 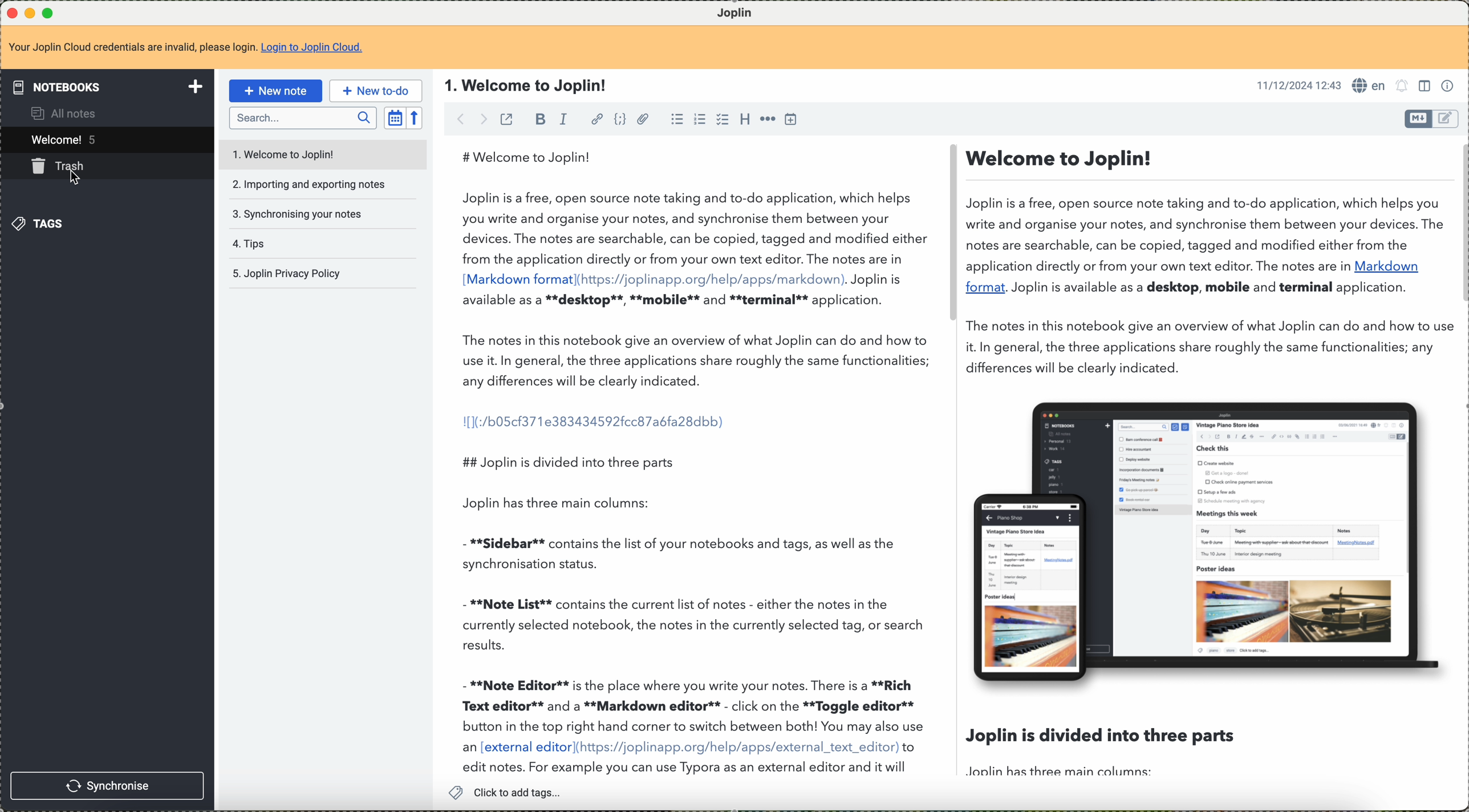 What do you see at coordinates (416, 118) in the screenshot?
I see `reverse sort order` at bounding box center [416, 118].